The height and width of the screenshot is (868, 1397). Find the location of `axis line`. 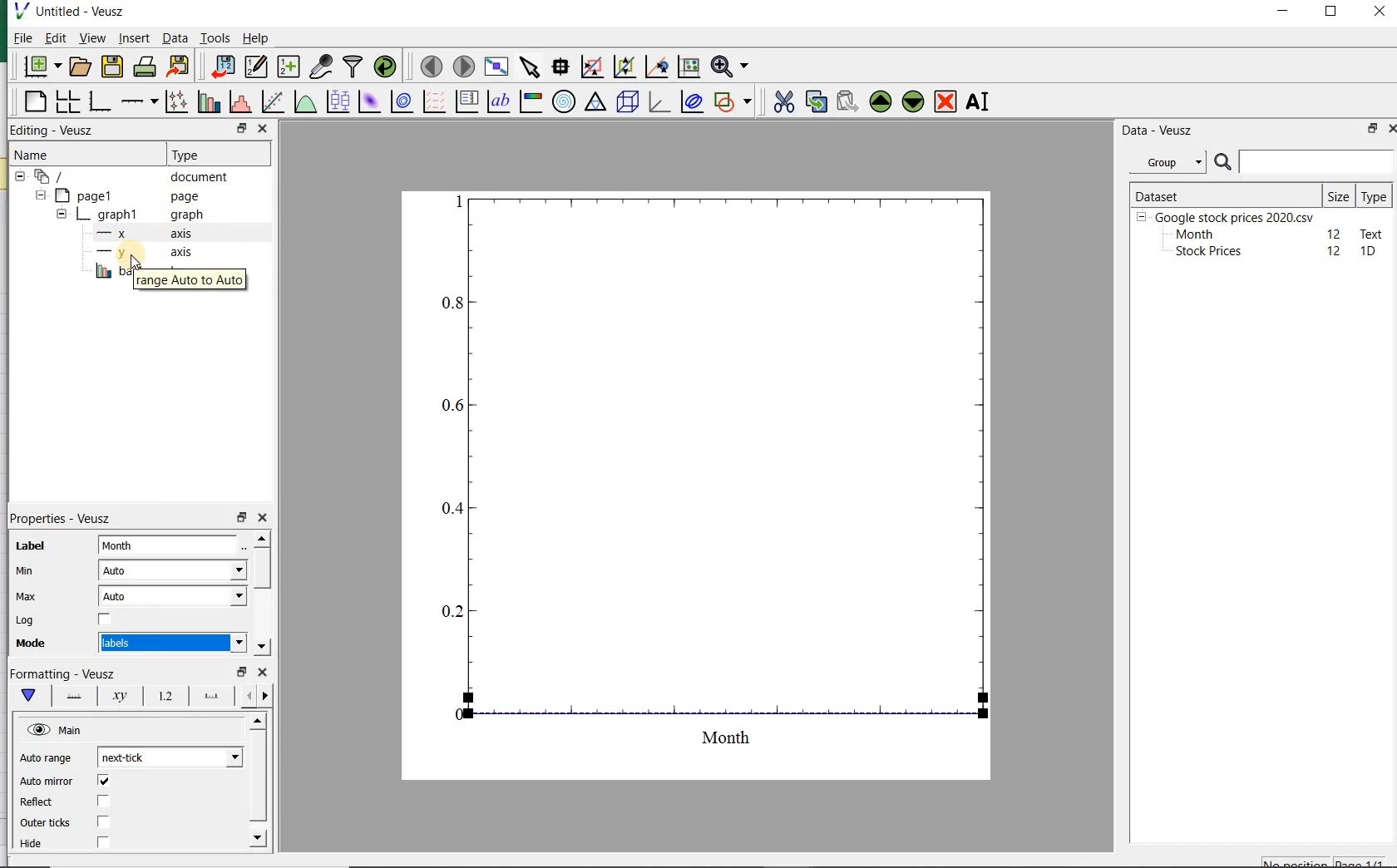

axis line is located at coordinates (70, 695).